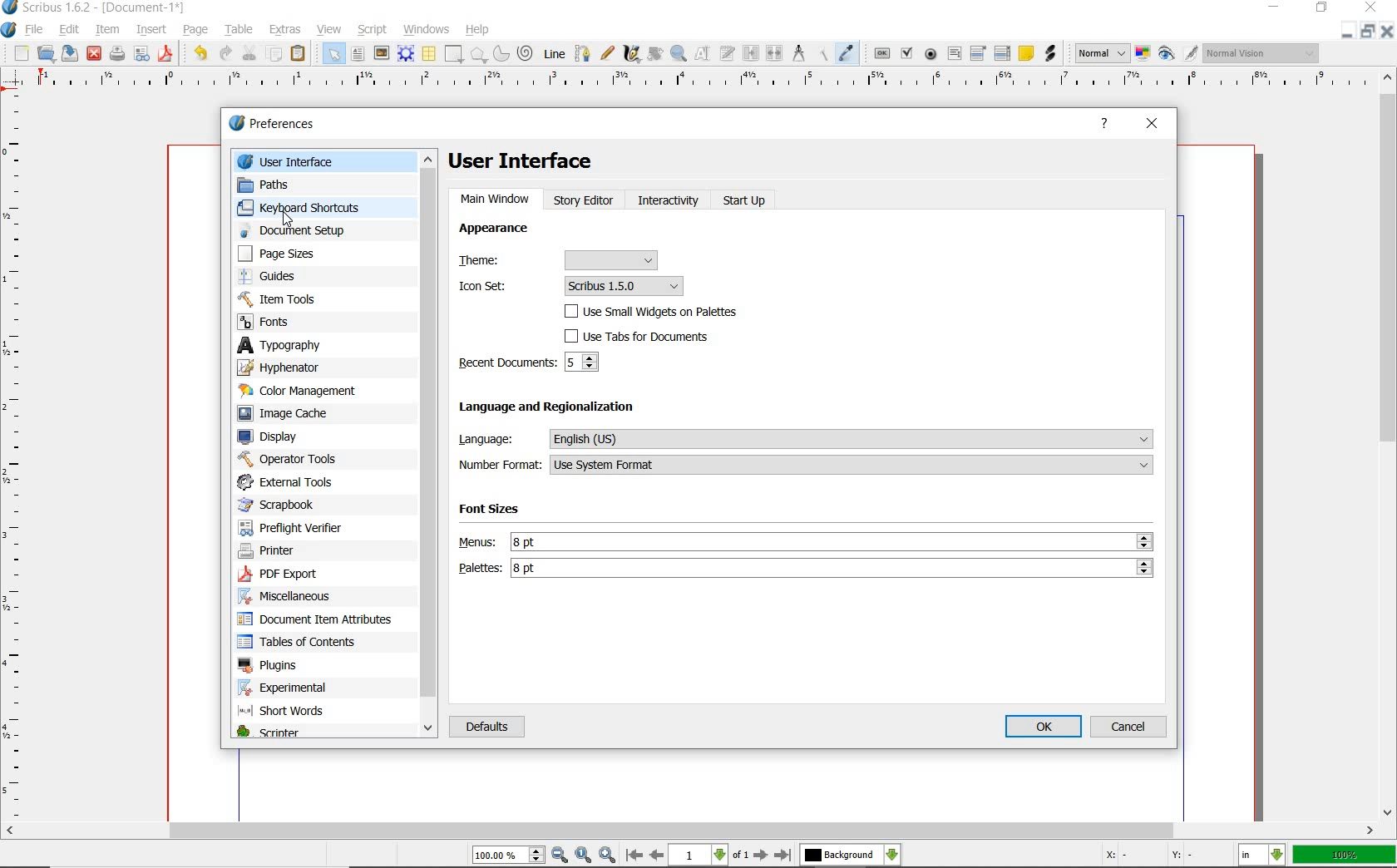  I want to click on select, so click(335, 57).